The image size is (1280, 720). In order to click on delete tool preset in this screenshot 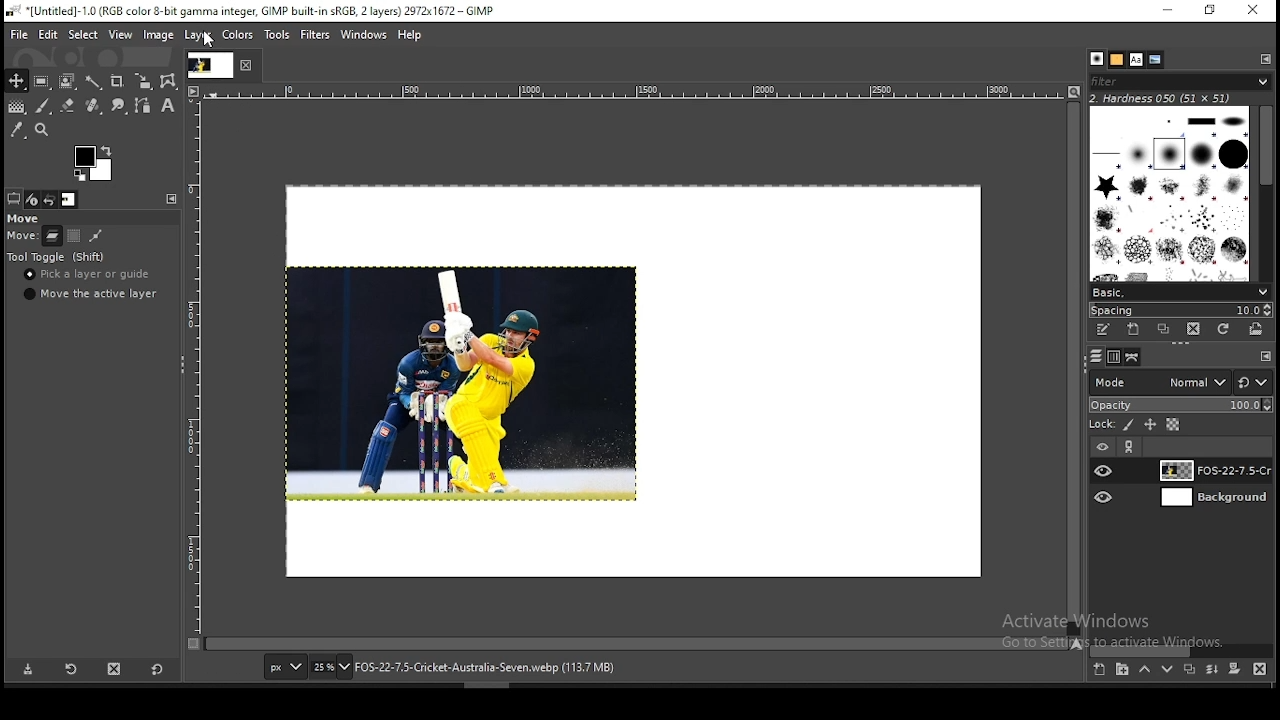, I will do `click(116, 668)`.